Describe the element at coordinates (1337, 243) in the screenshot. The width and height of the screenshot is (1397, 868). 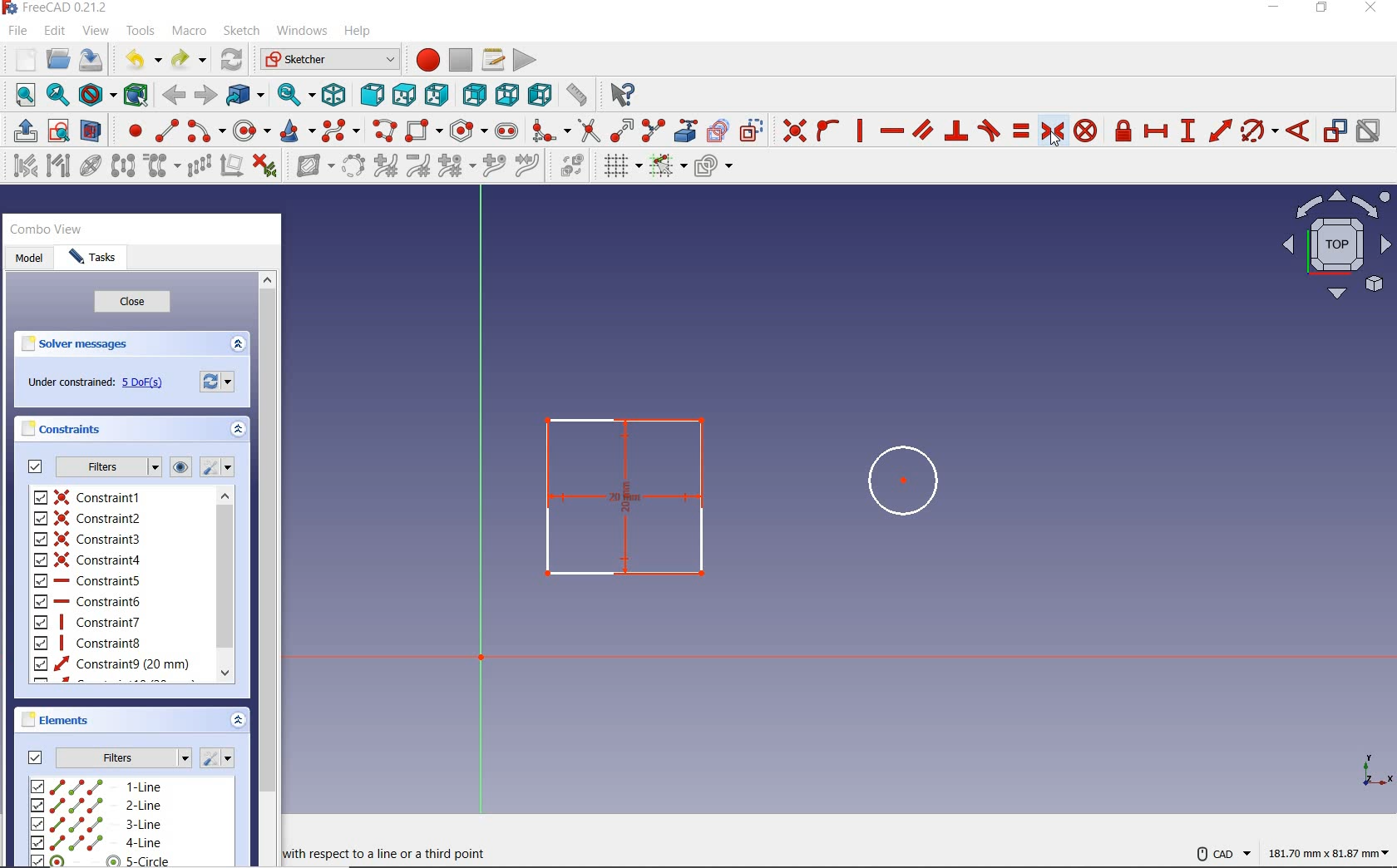
I see `Plane view` at that location.